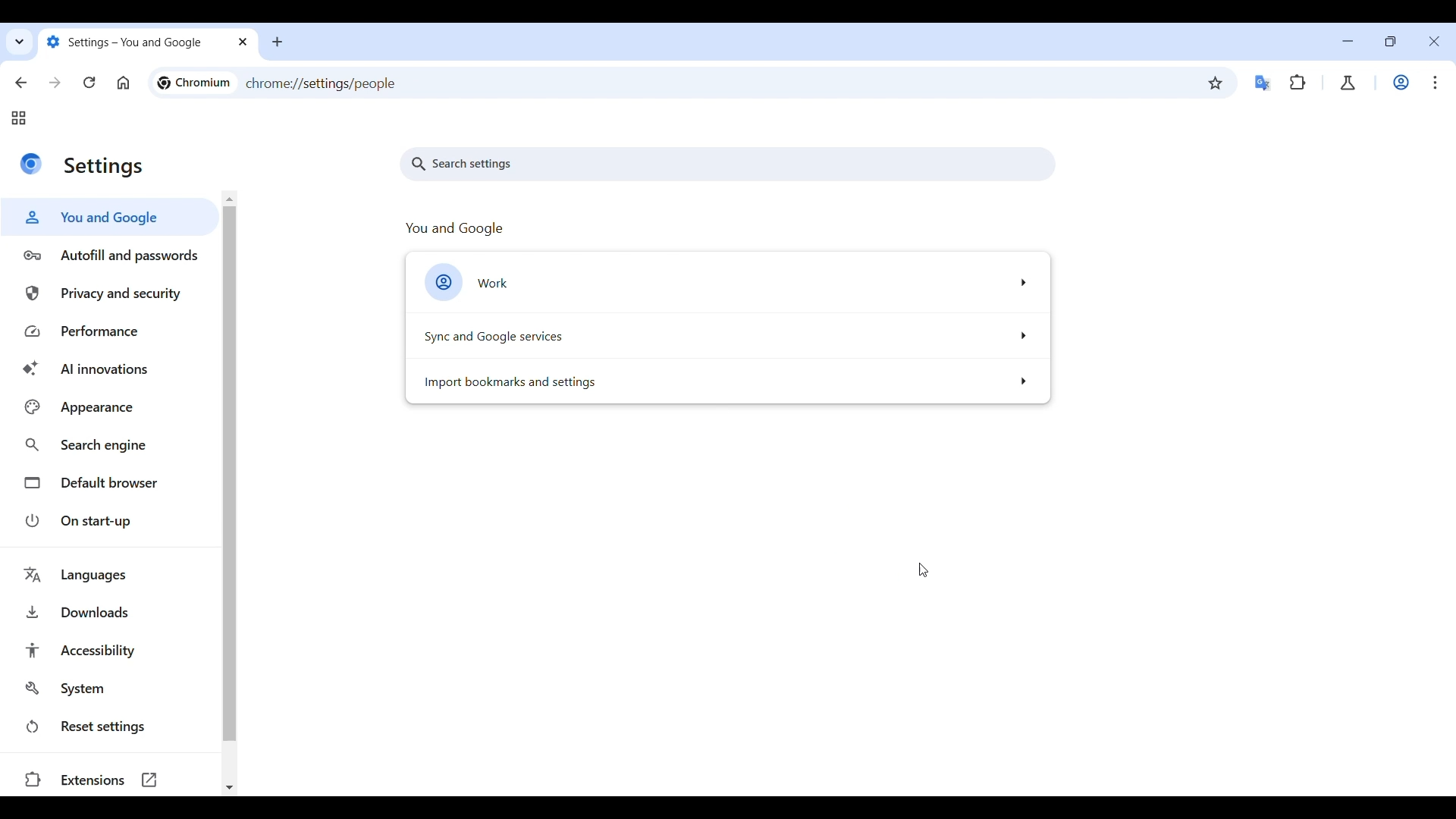 The image size is (1456, 819). Describe the element at coordinates (104, 167) in the screenshot. I see `settings` at that location.